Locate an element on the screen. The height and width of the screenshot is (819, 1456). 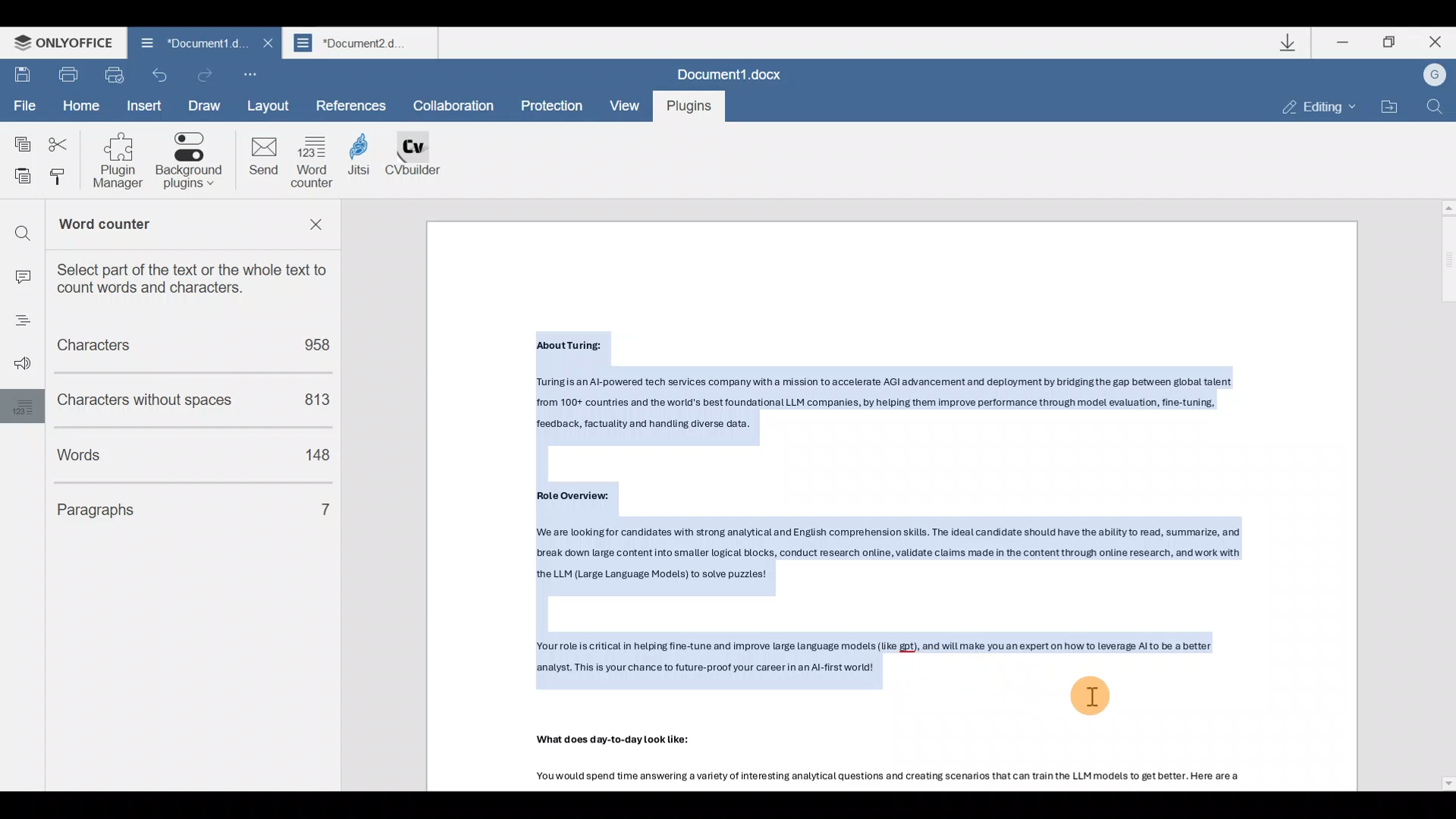
Cursor is located at coordinates (1090, 695).